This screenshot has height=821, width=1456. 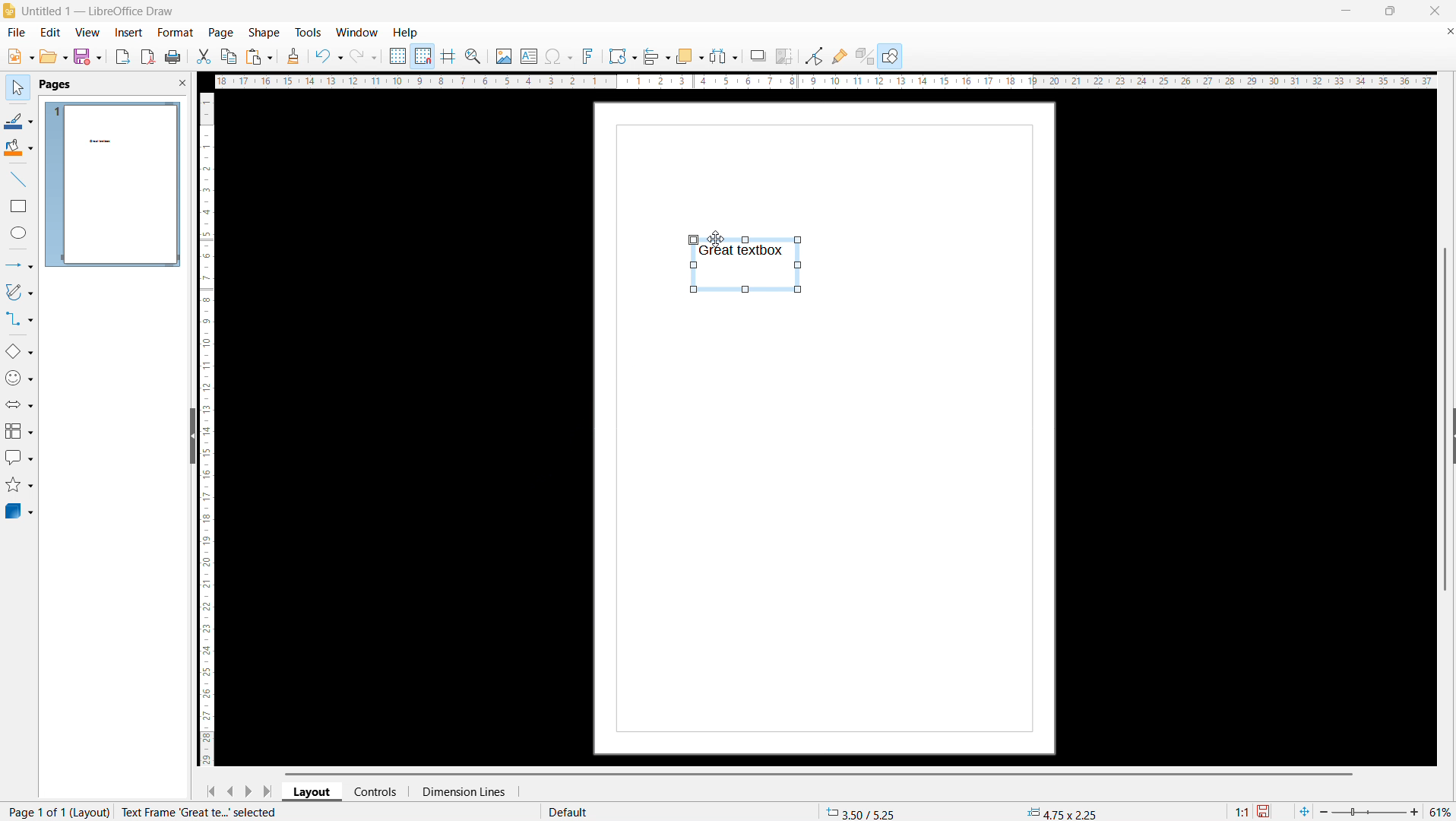 What do you see at coordinates (689, 55) in the screenshot?
I see `arrange` at bounding box center [689, 55].